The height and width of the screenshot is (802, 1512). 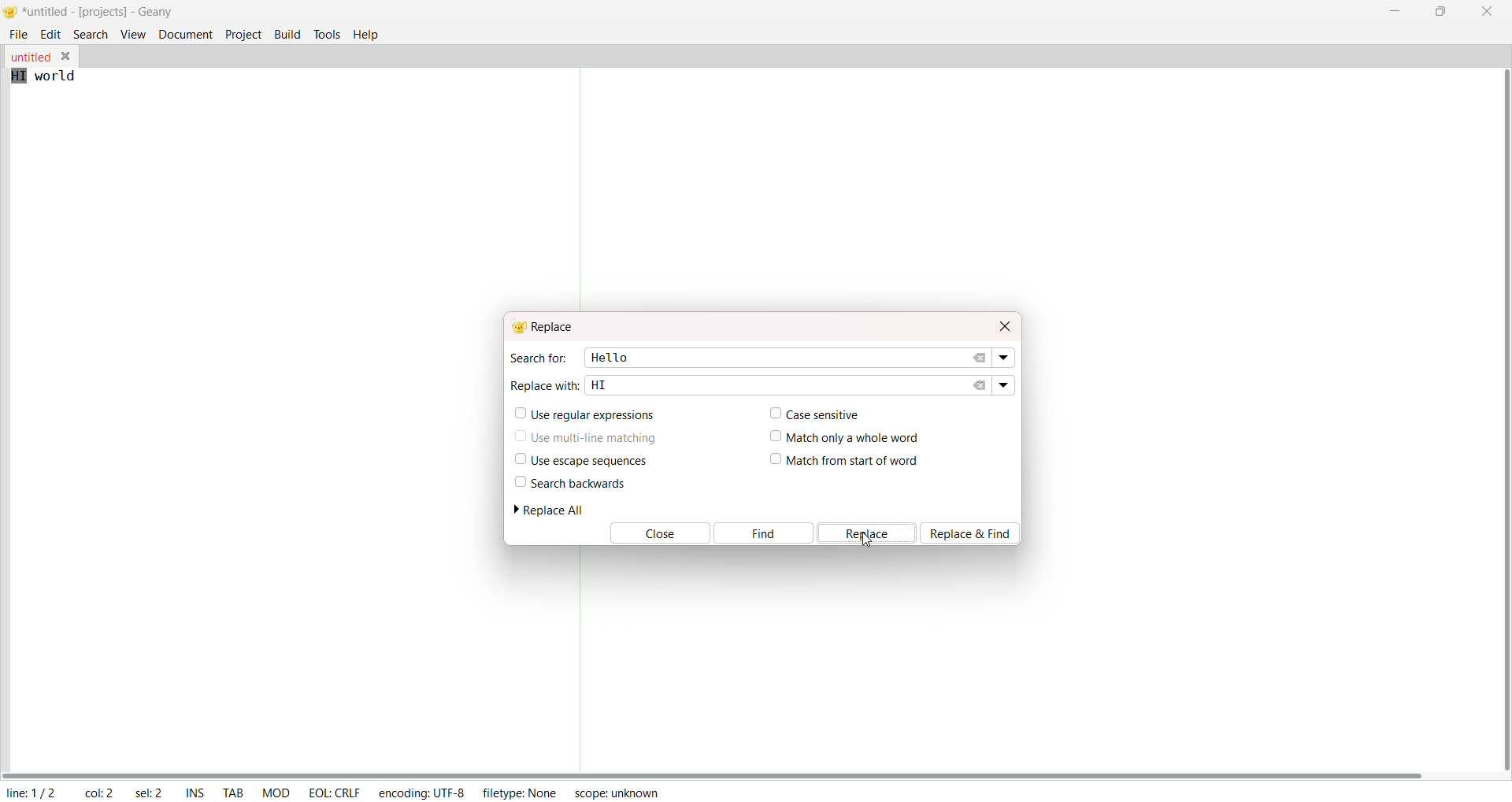 I want to click on edit, so click(x=52, y=35).